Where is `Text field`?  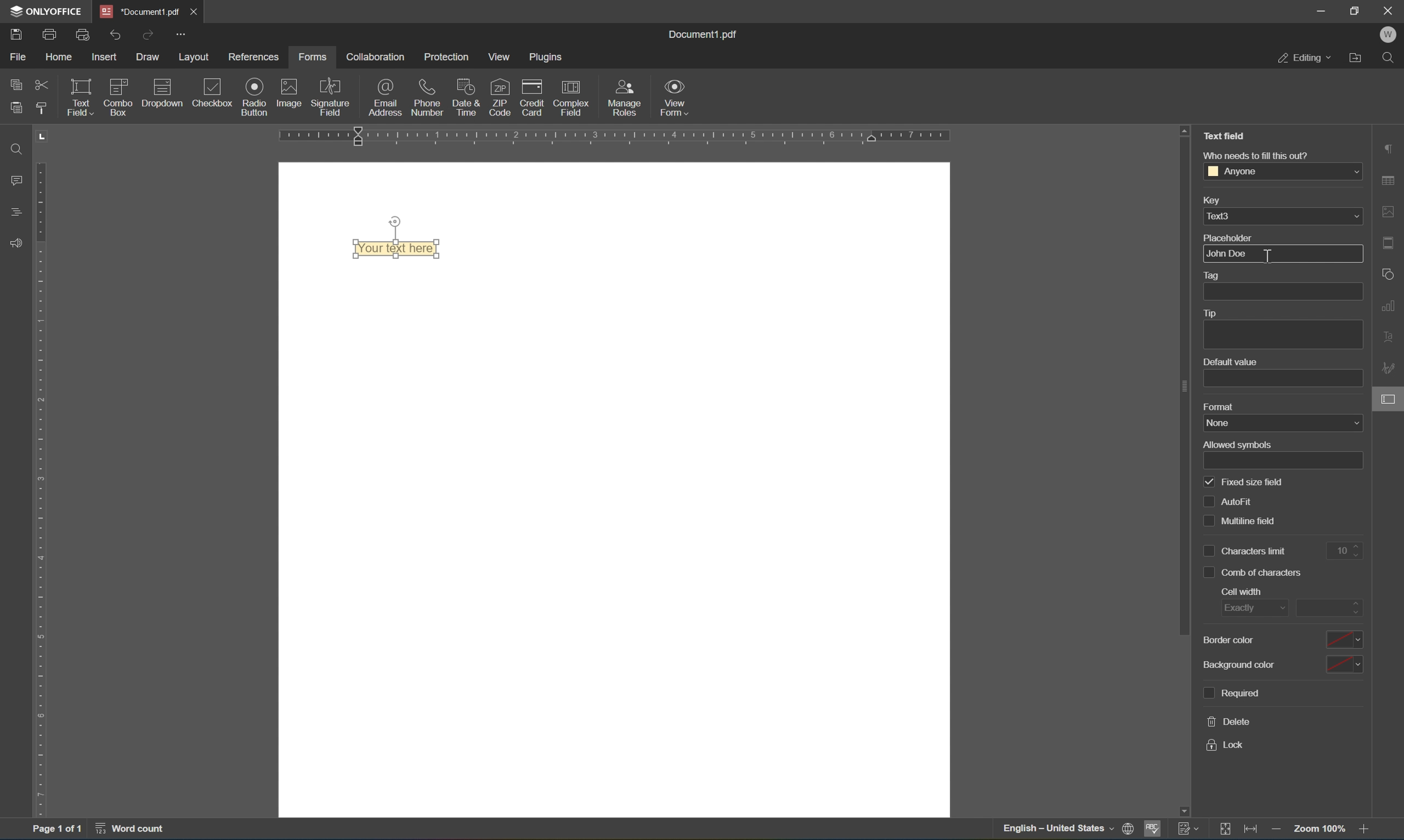 Text field is located at coordinates (1225, 138).